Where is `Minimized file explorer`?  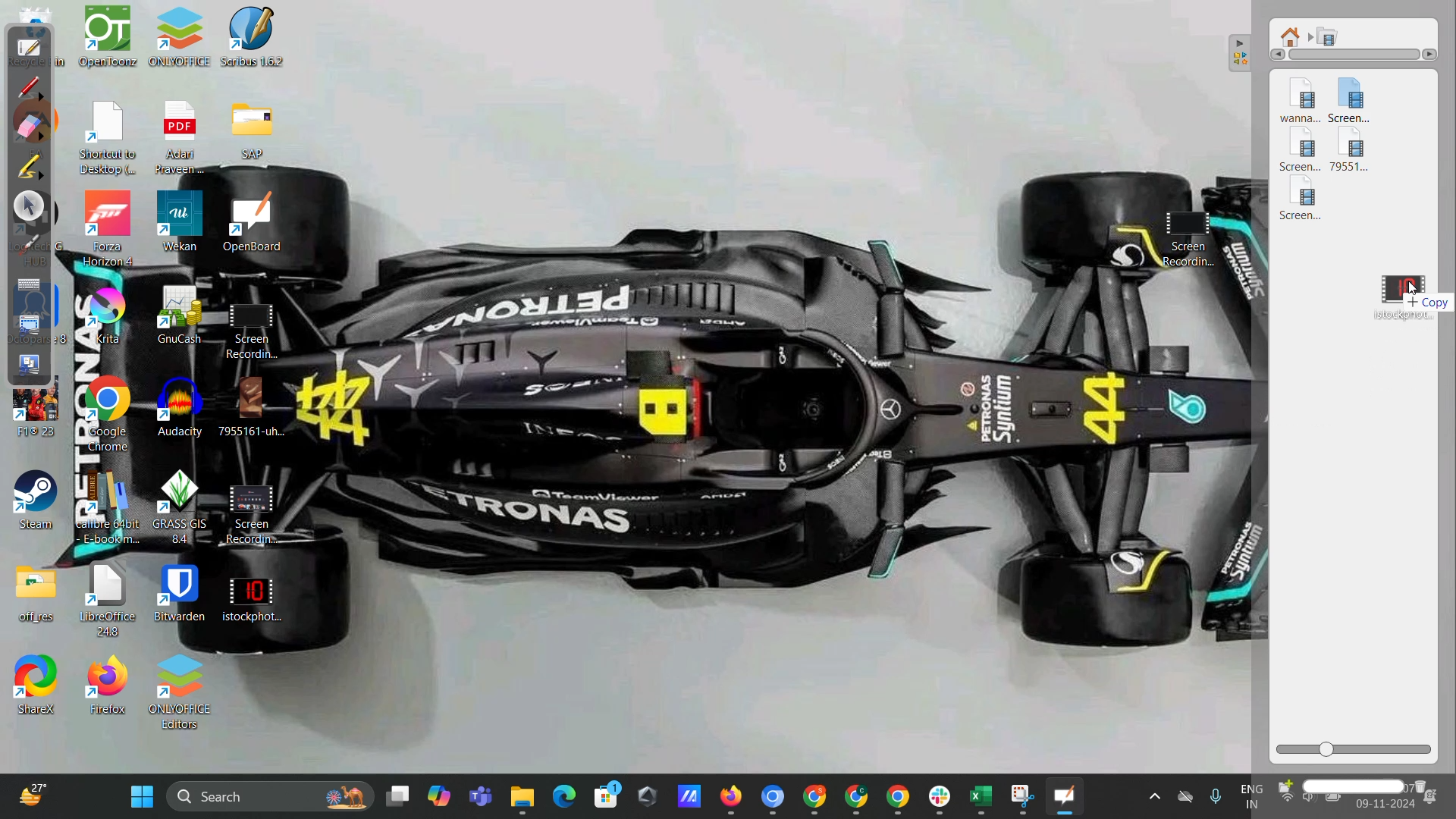
Minimized file explorer is located at coordinates (518, 798).